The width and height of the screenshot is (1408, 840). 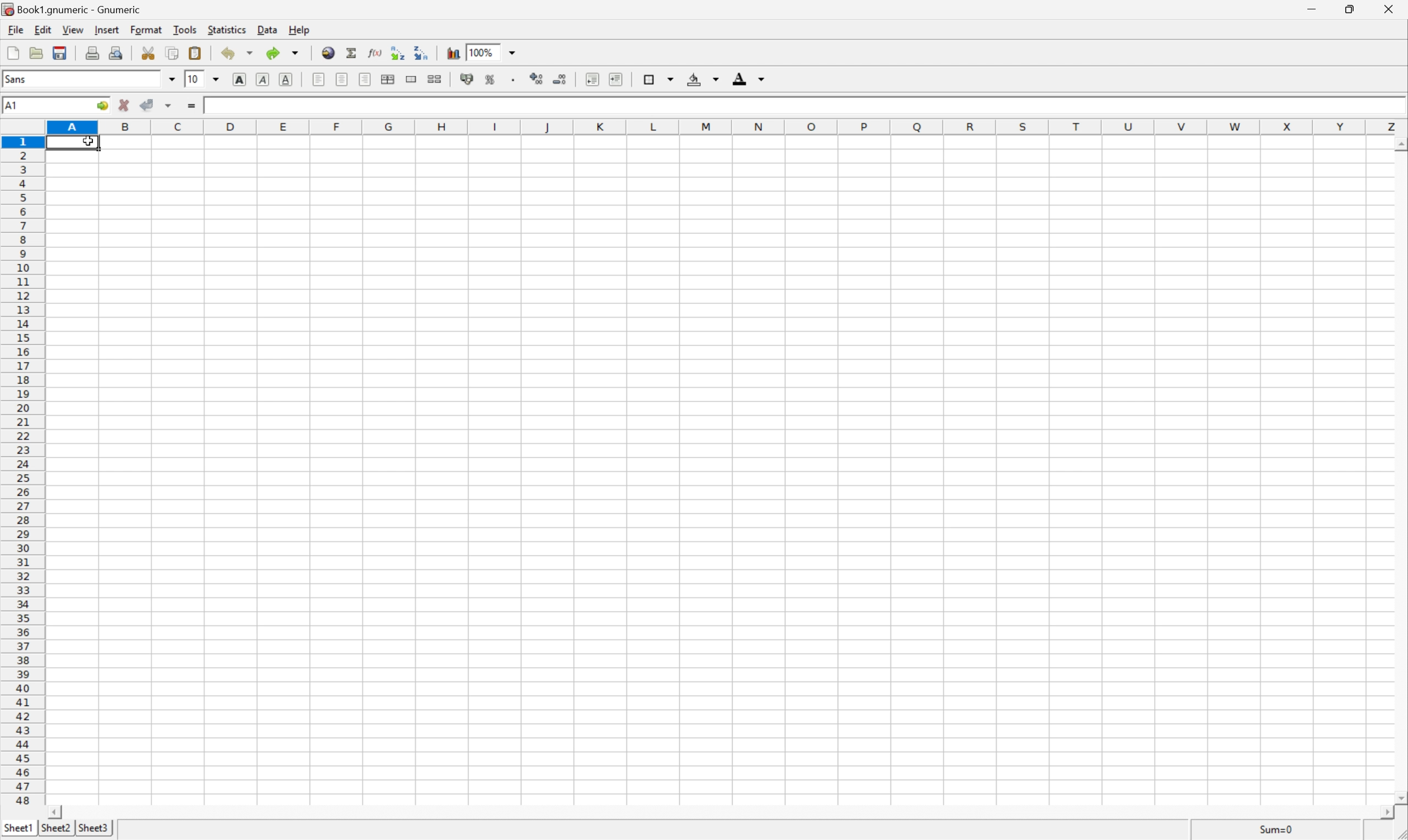 I want to click on sheet2, so click(x=54, y=831).